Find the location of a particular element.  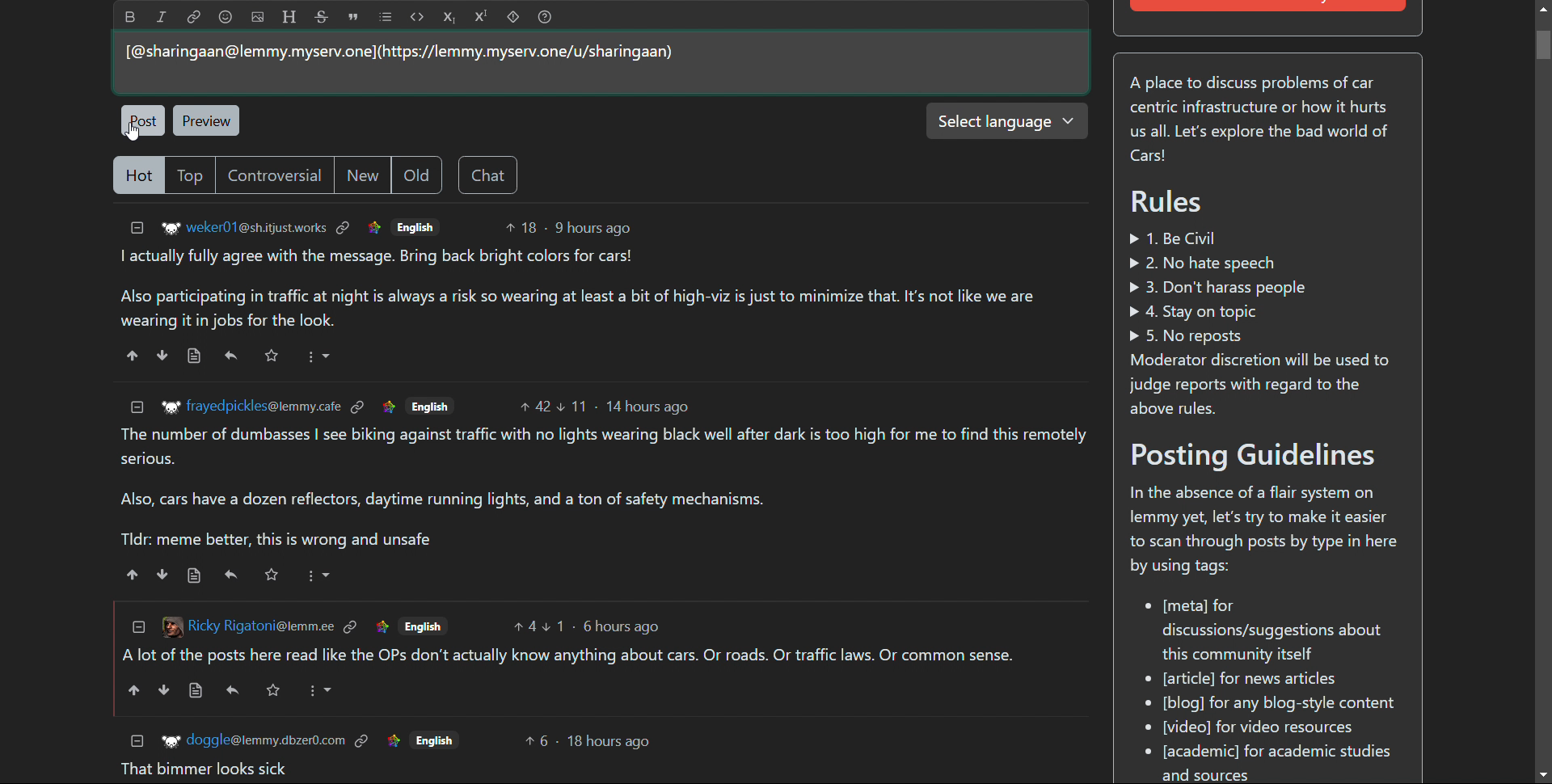

upvote is located at coordinates (133, 575).